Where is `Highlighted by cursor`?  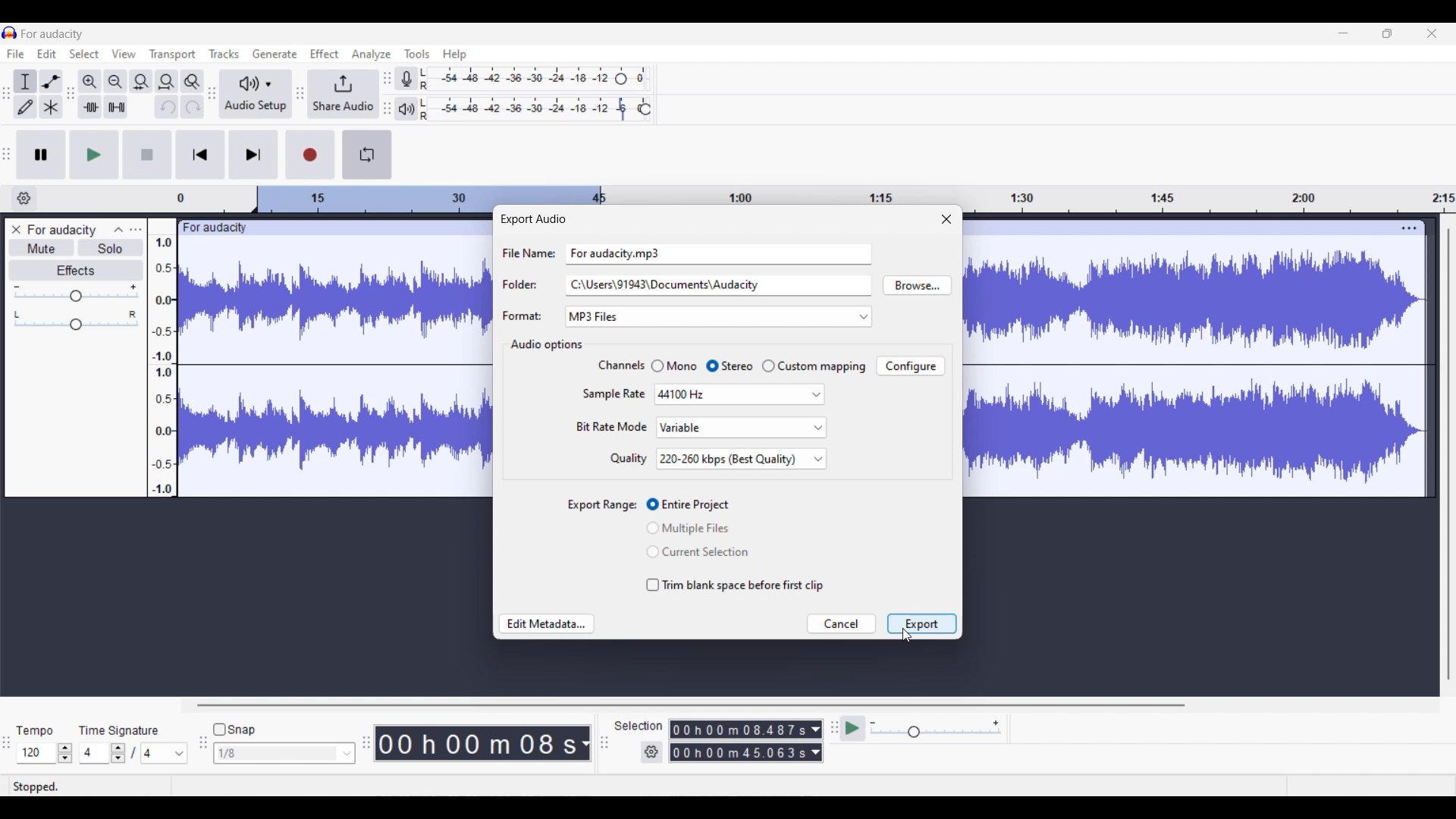
Highlighted by cursor is located at coordinates (765, 428).